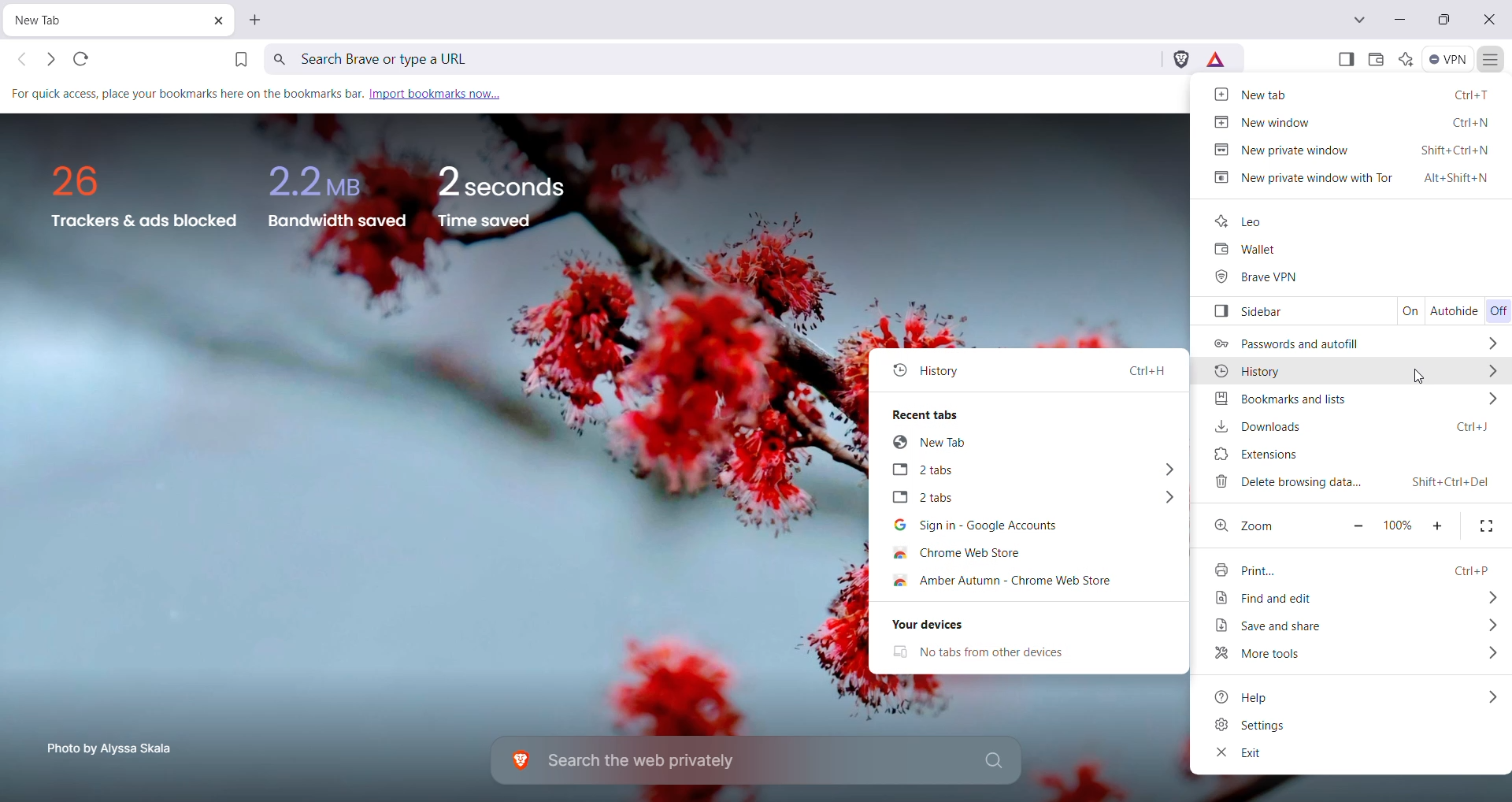 The width and height of the screenshot is (1512, 802). Describe the element at coordinates (1354, 177) in the screenshot. I see `New private window with Tor` at that location.